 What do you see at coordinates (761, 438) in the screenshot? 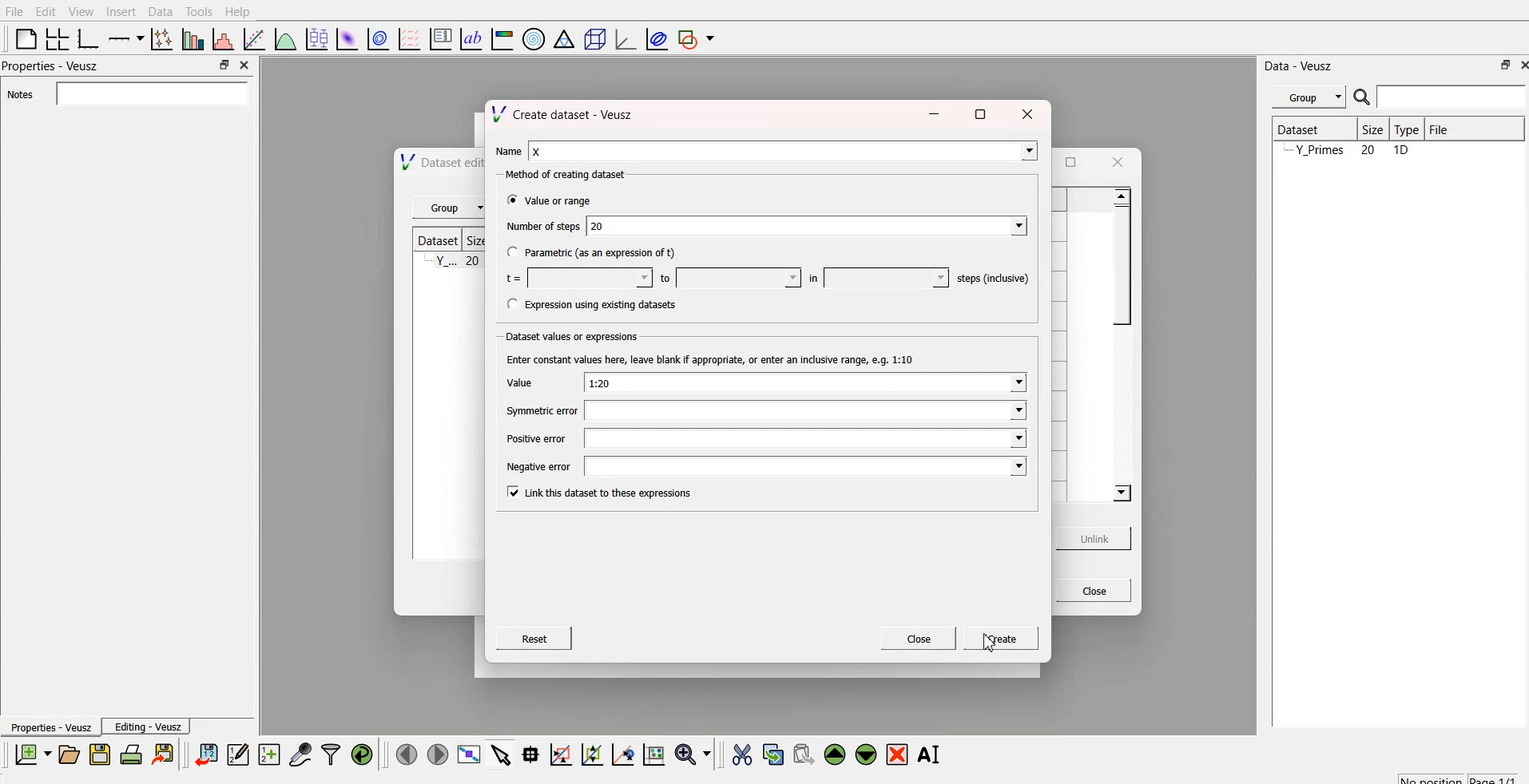
I see `Postveeror ` at bounding box center [761, 438].